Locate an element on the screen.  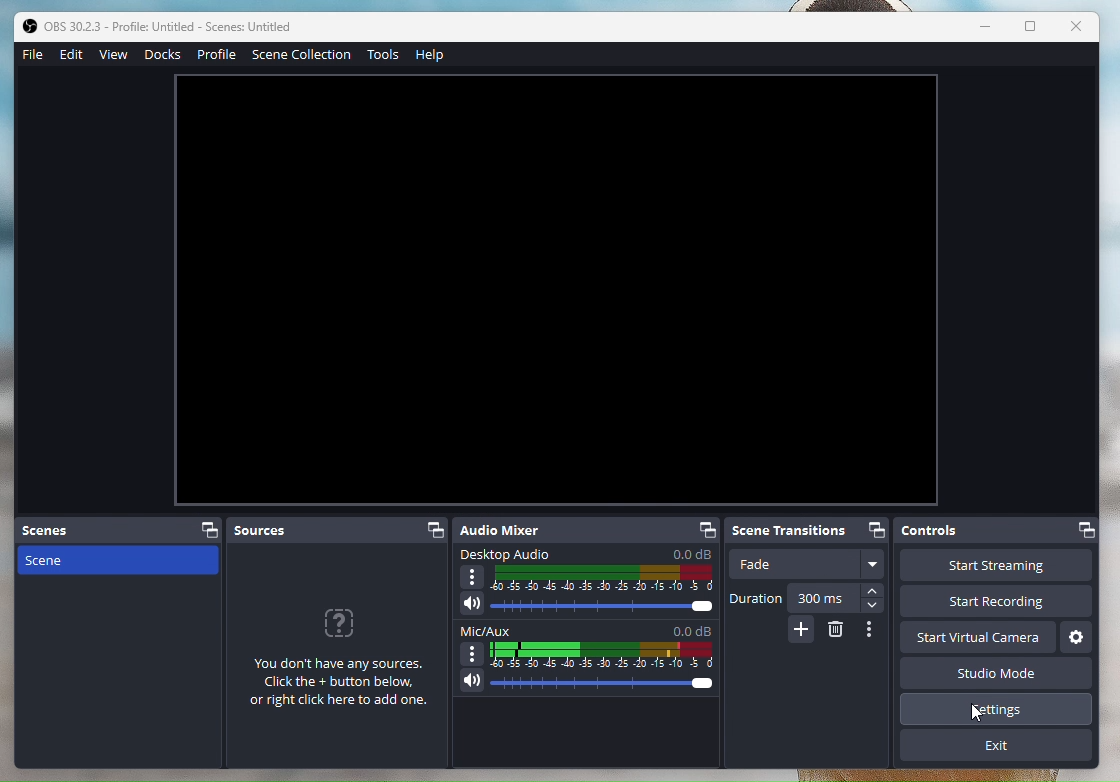
Scene is located at coordinates (119, 562).